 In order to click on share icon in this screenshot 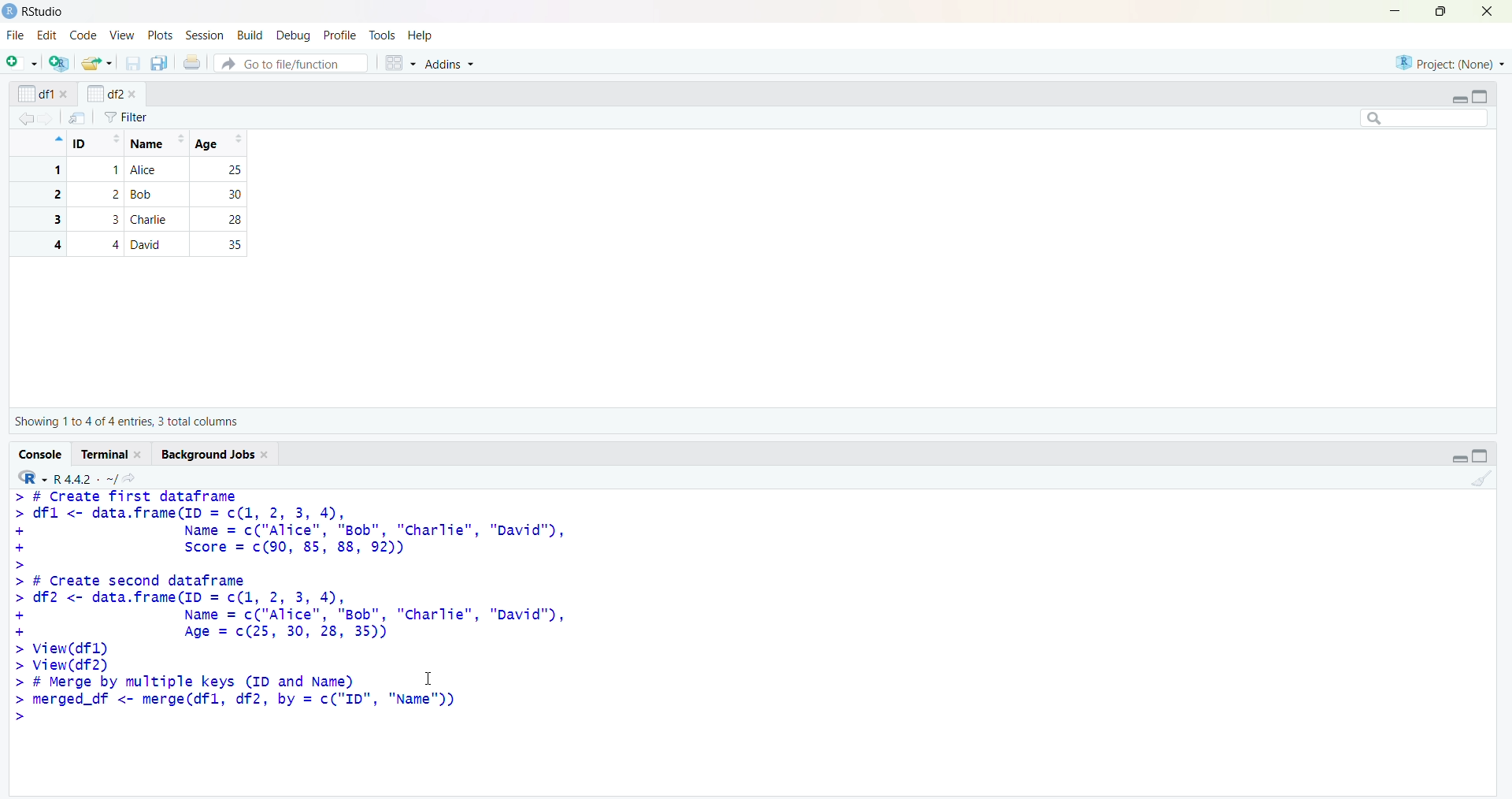, I will do `click(130, 478)`.